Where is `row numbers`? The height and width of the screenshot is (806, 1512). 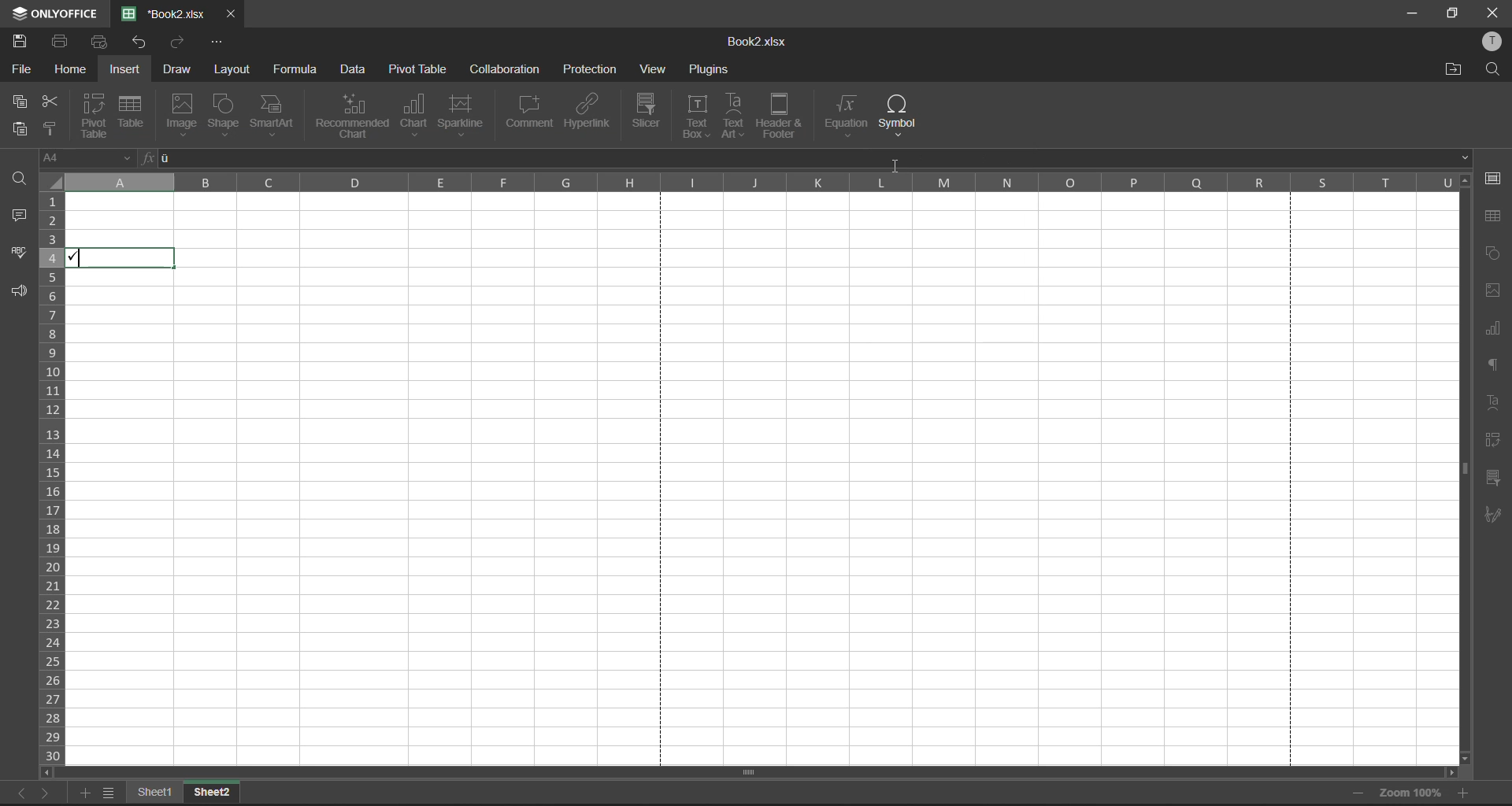
row numbers is located at coordinates (54, 479).